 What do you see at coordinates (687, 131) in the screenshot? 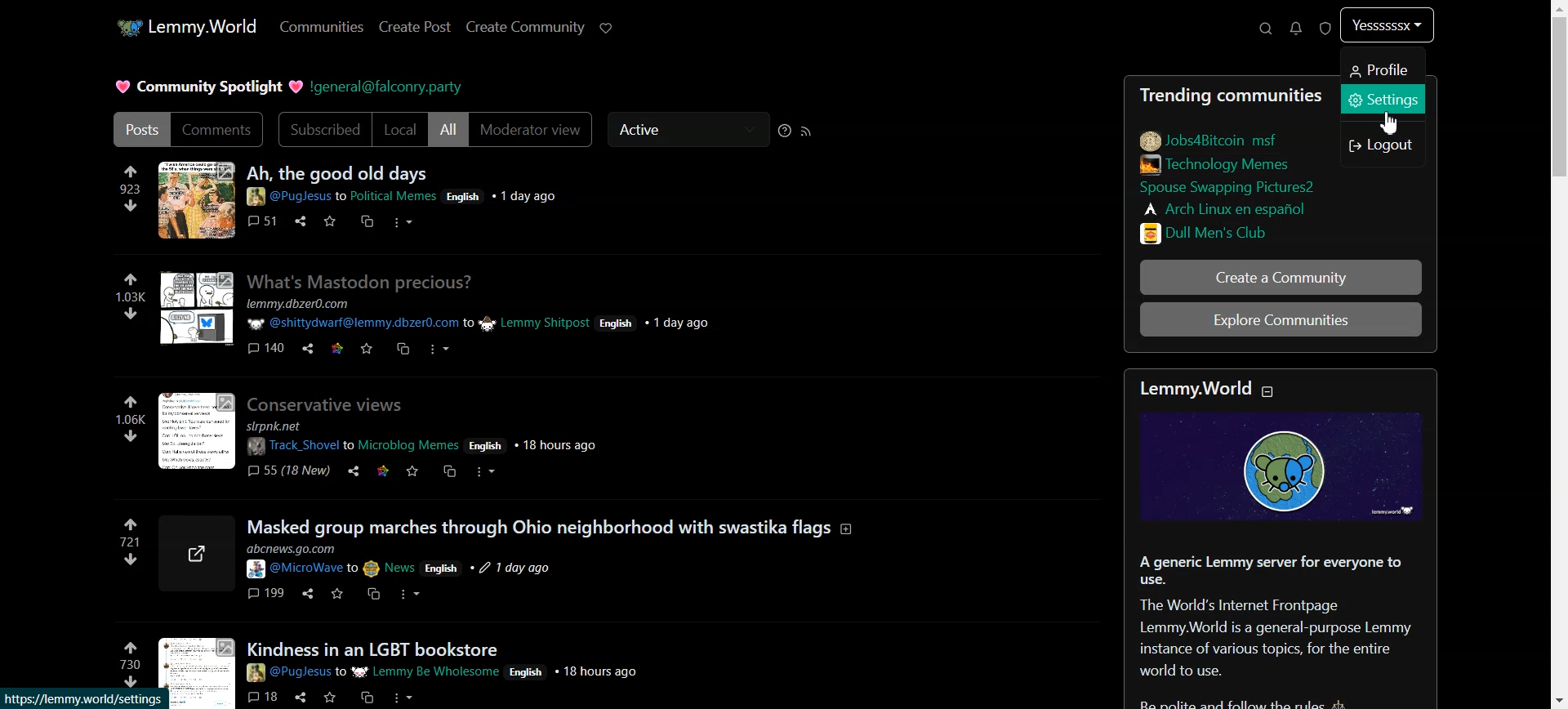
I see `Active` at bounding box center [687, 131].